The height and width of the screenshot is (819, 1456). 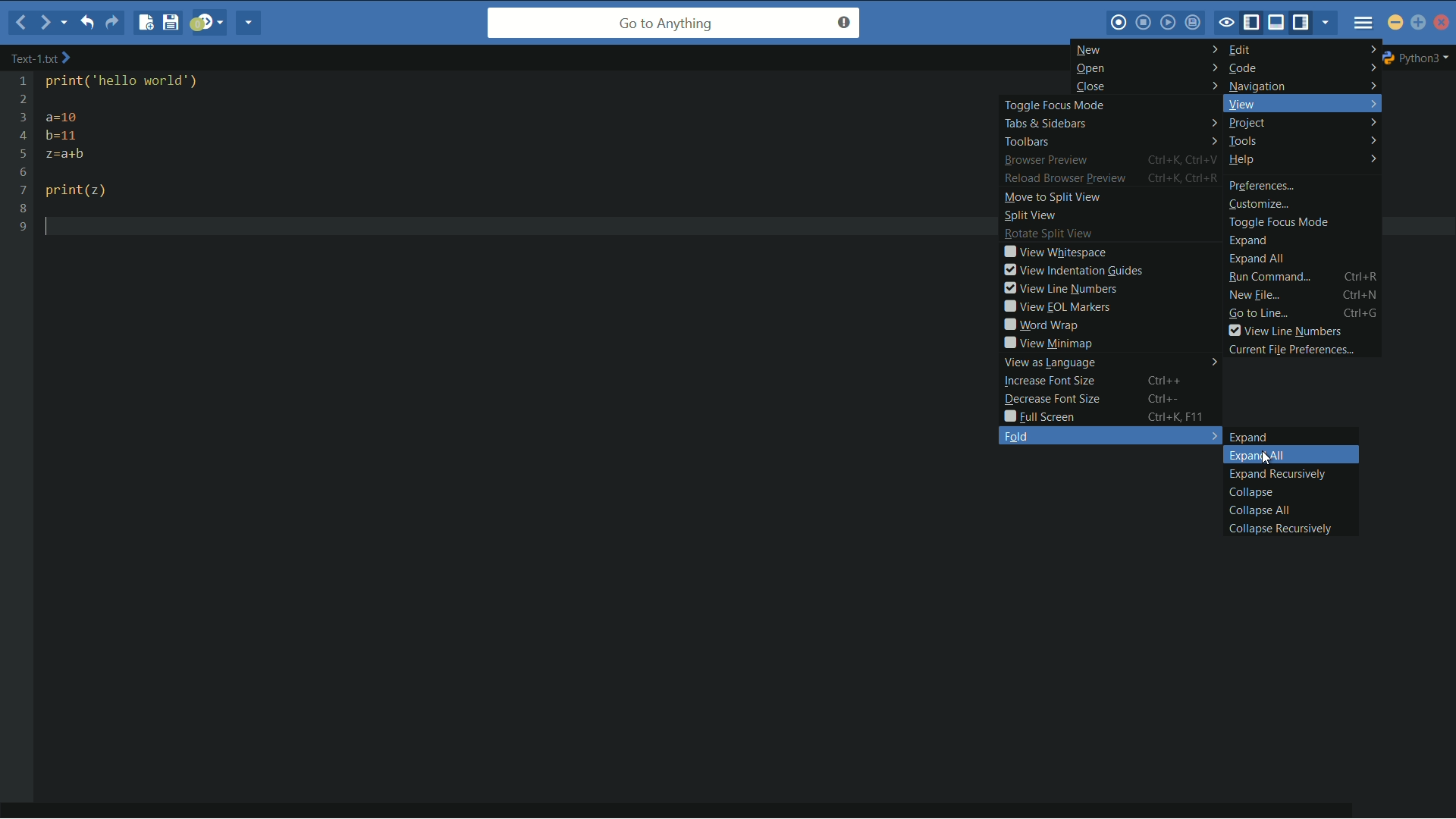 What do you see at coordinates (1040, 325) in the screenshot?
I see `word wrap` at bounding box center [1040, 325].